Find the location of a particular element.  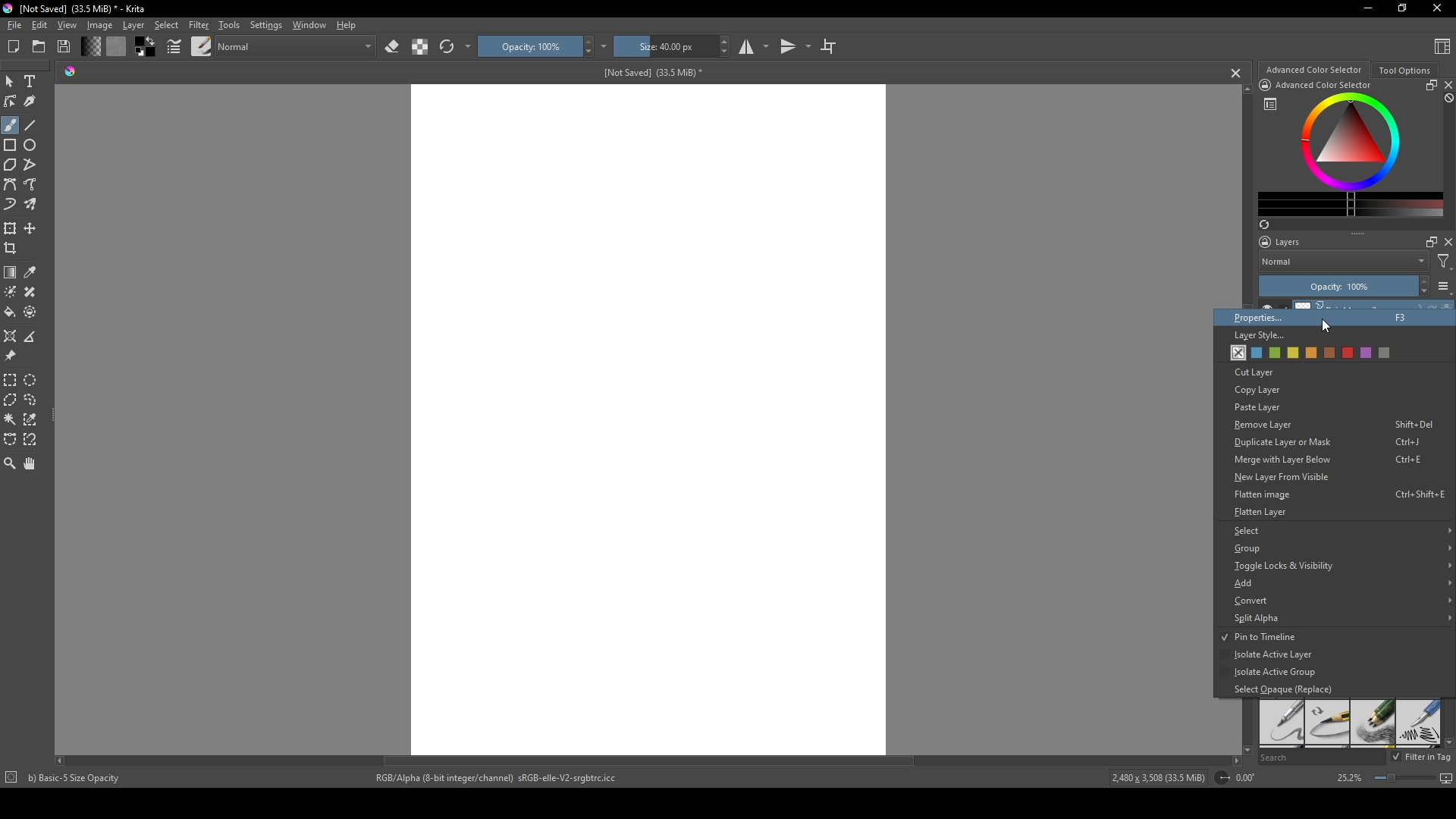

pencil is located at coordinates (1328, 723).